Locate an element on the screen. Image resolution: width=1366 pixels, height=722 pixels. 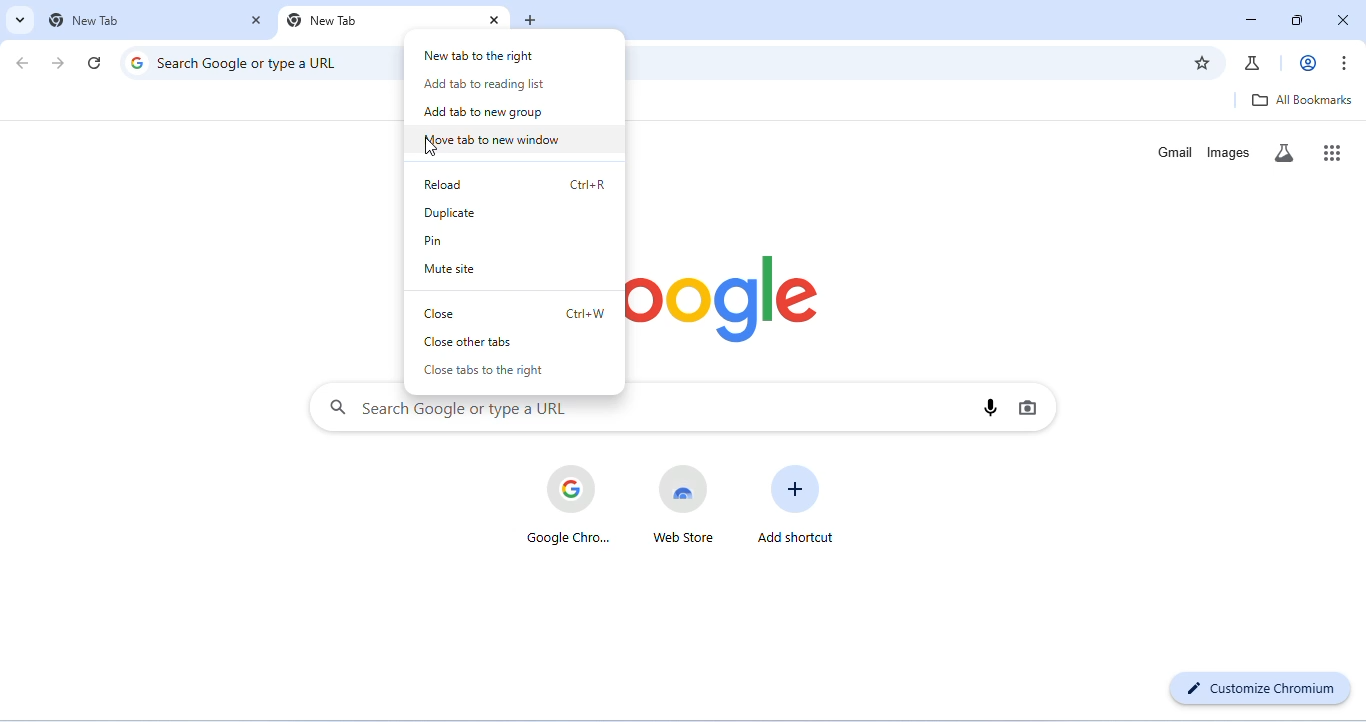
Google logo is located at coordinates (137, 62).